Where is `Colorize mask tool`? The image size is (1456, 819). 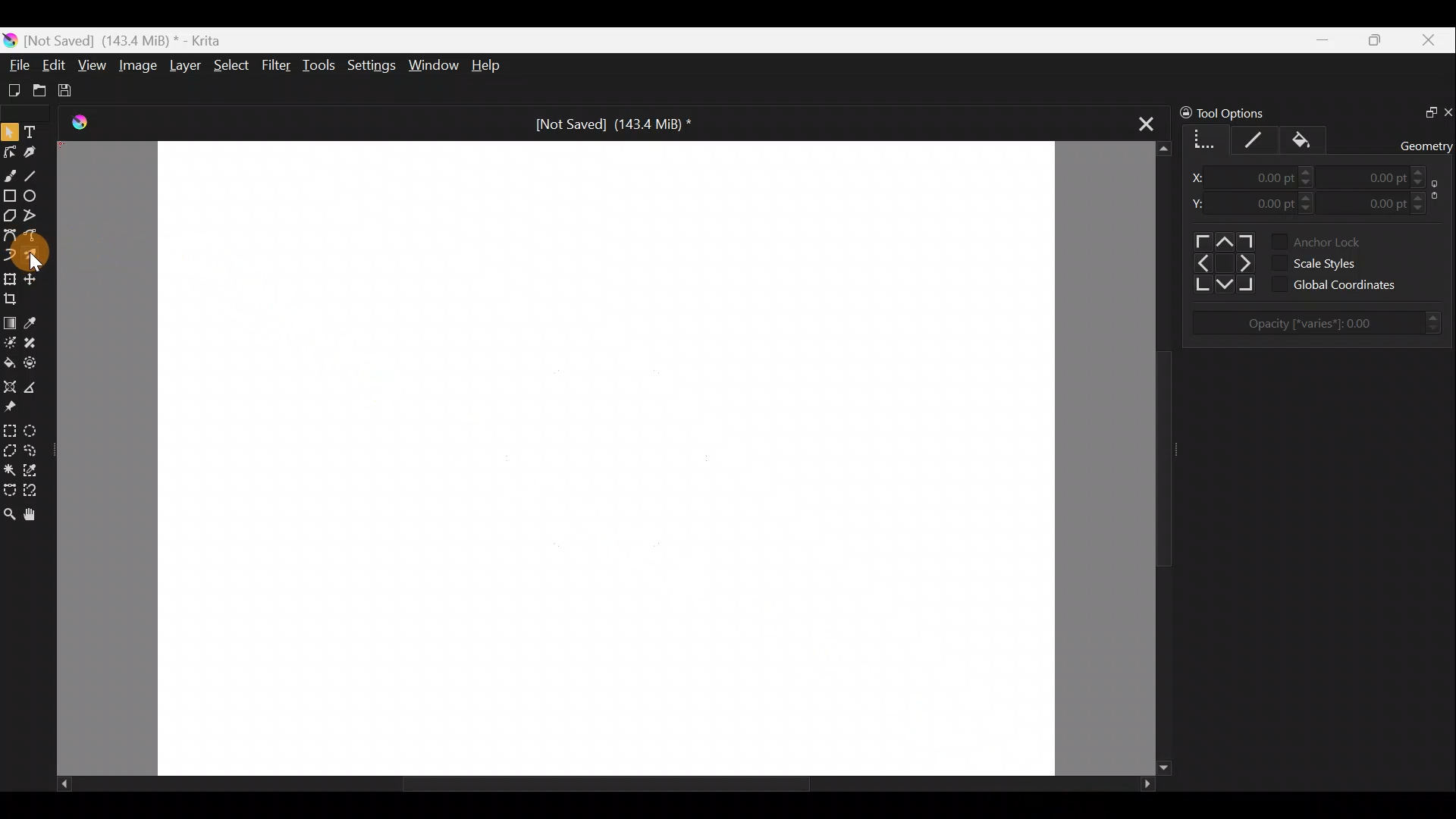
Colorize mask tool is located at coordinates (9, 342).